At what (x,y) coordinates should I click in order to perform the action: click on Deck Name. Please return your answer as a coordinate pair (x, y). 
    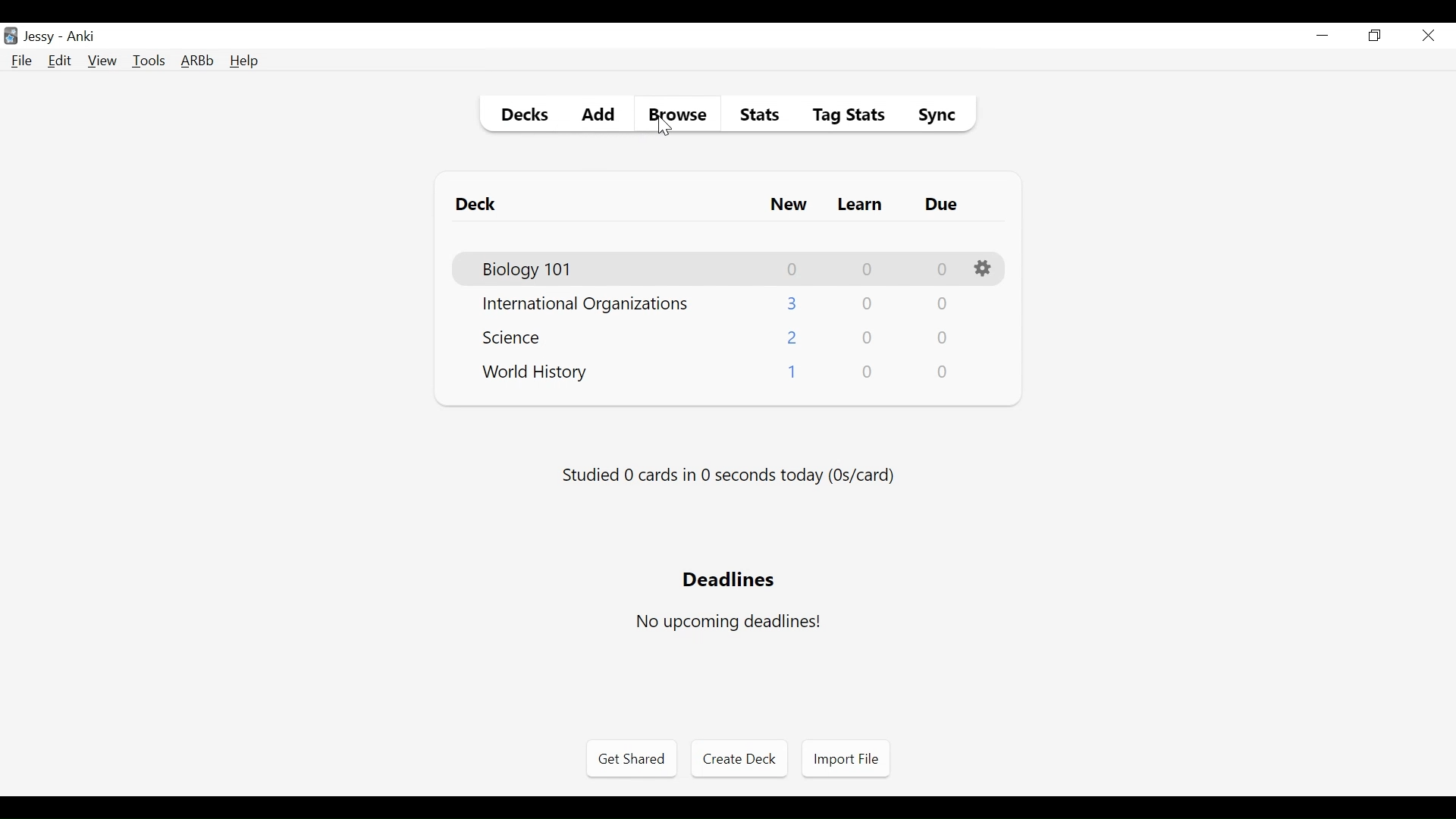
    Looking at the image, I should click on (585, 305).